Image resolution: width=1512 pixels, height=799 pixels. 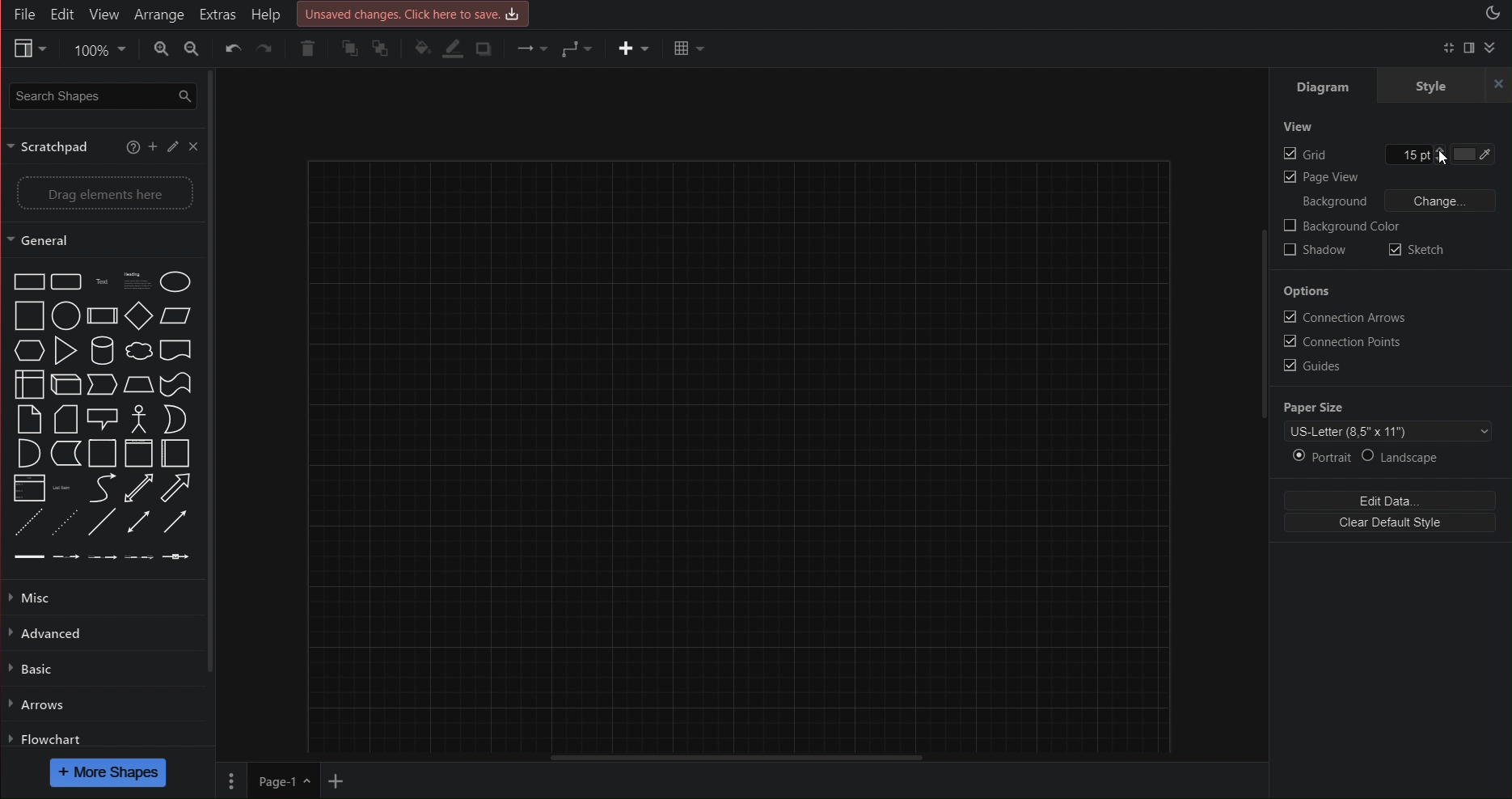 I want to click on notes shape, so click(x=23, y=420).